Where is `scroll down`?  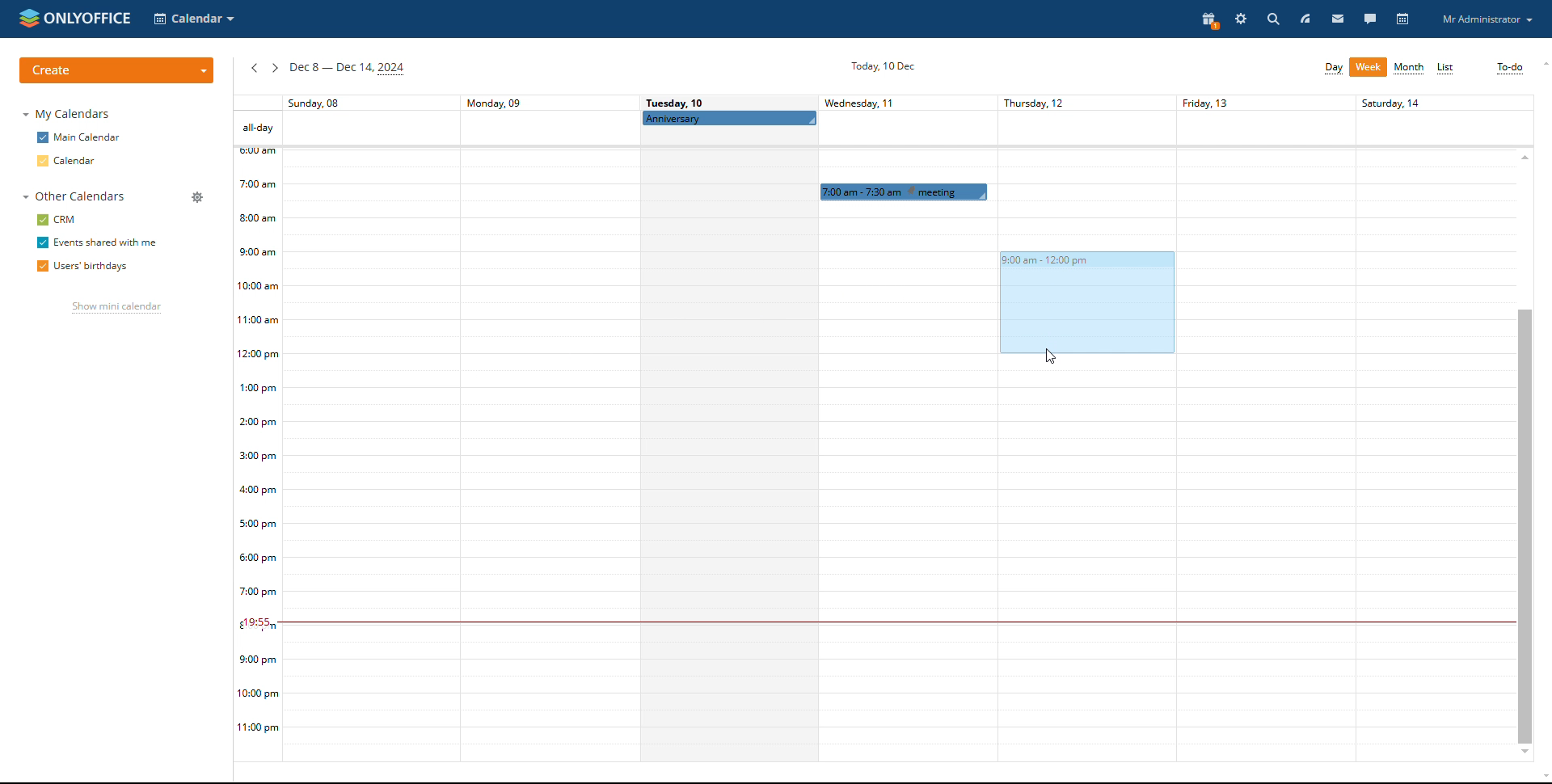
scroll down is located at coordinates (1525, 753).